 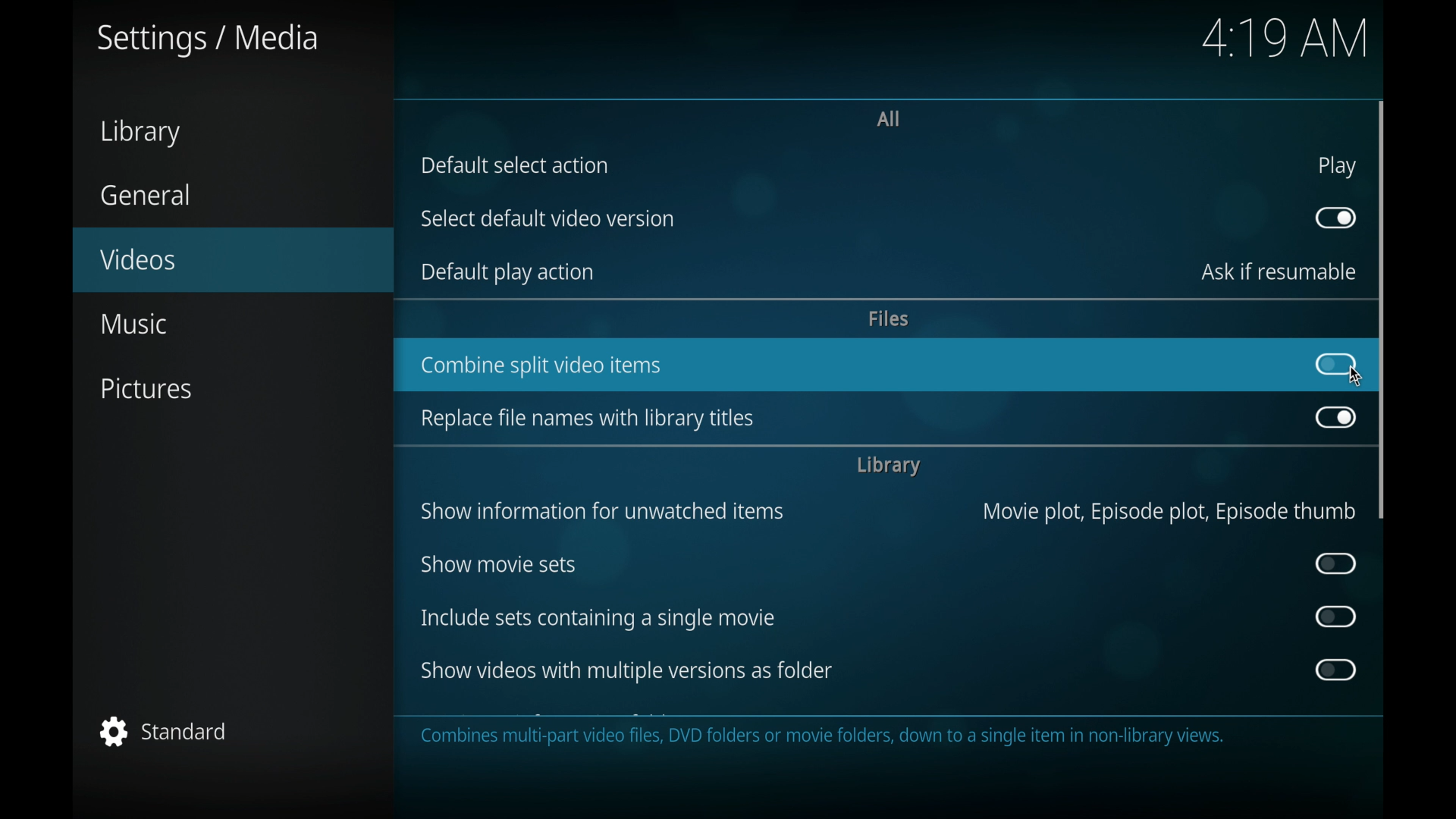 I want to click on default play action, so click(x=508, y=273).